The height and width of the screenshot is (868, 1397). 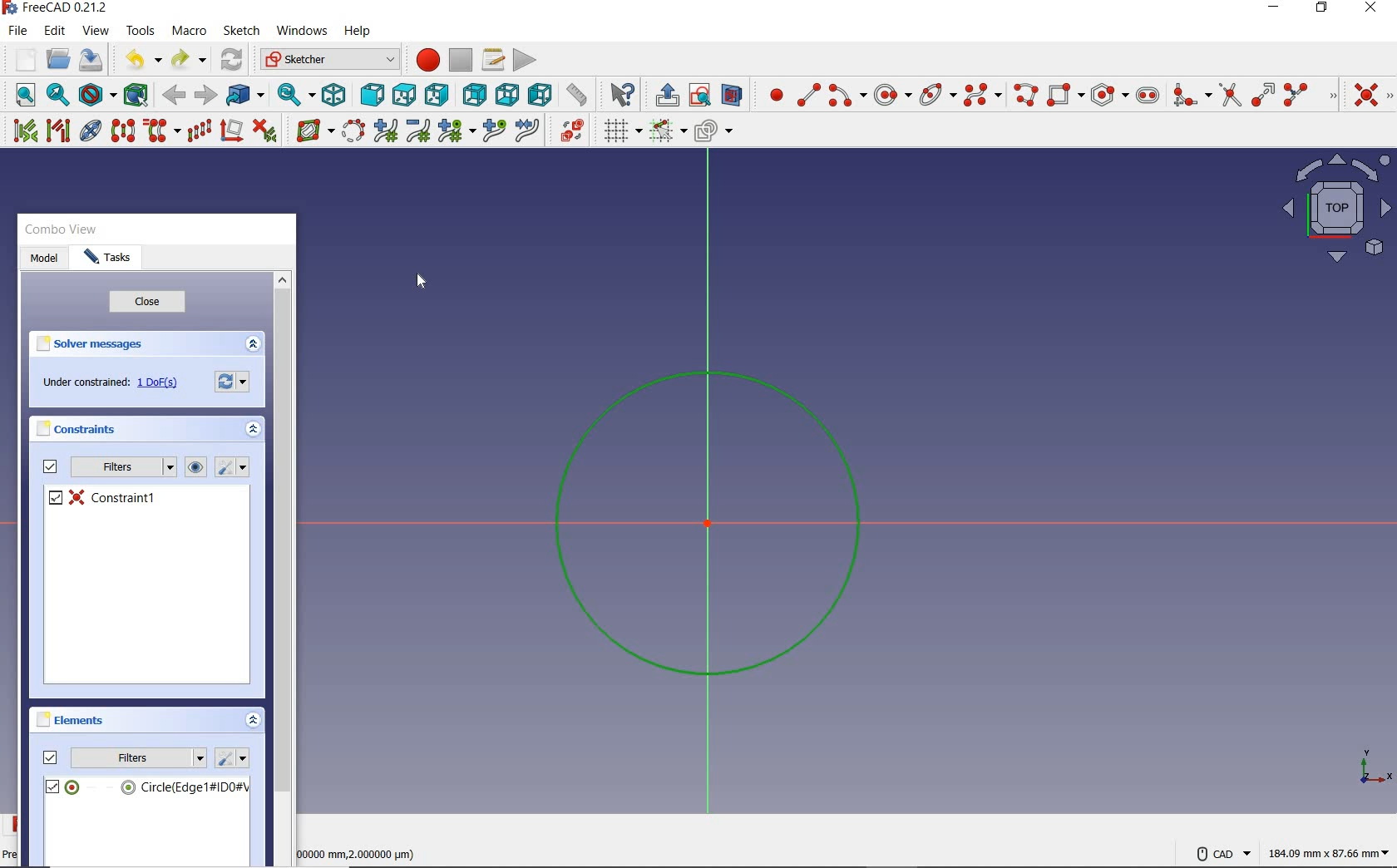 I want to click on left, so click(x=538, y=93).